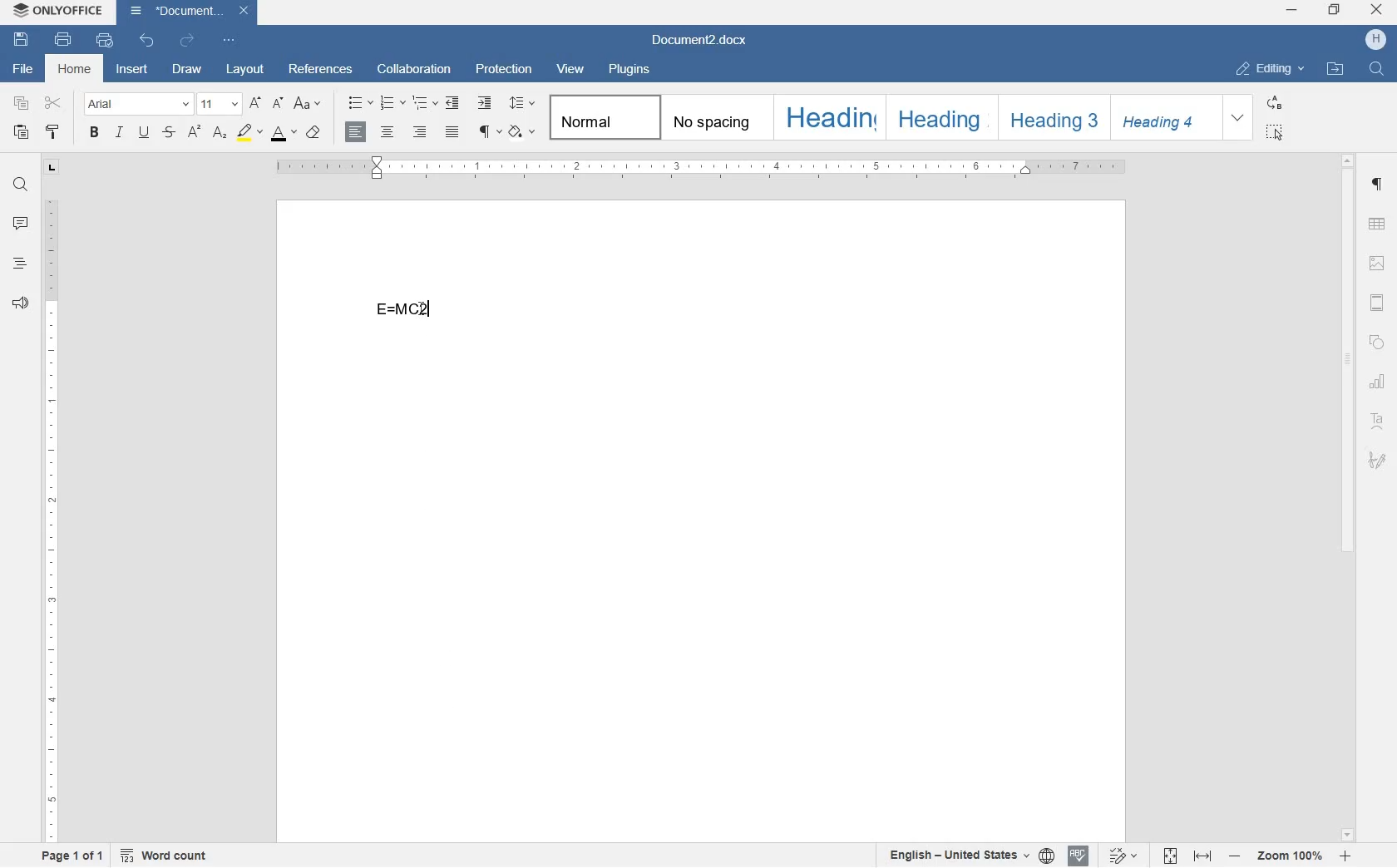  Describe the element at coordinates (138, 105) in the screenshot. I see `font name` at that location.